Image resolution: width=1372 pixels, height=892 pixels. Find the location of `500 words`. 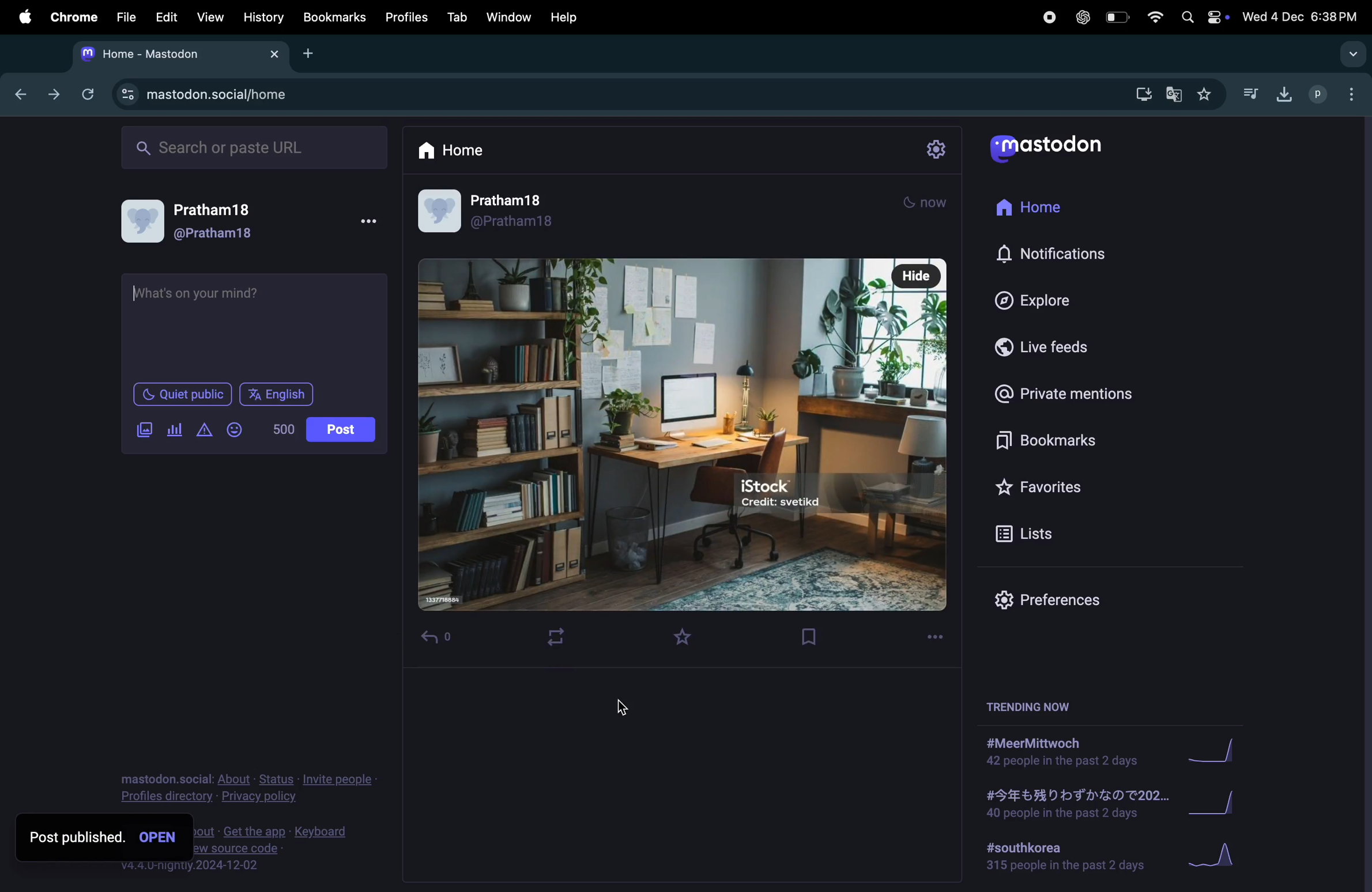

500 words is located at coordinates (281, 429).